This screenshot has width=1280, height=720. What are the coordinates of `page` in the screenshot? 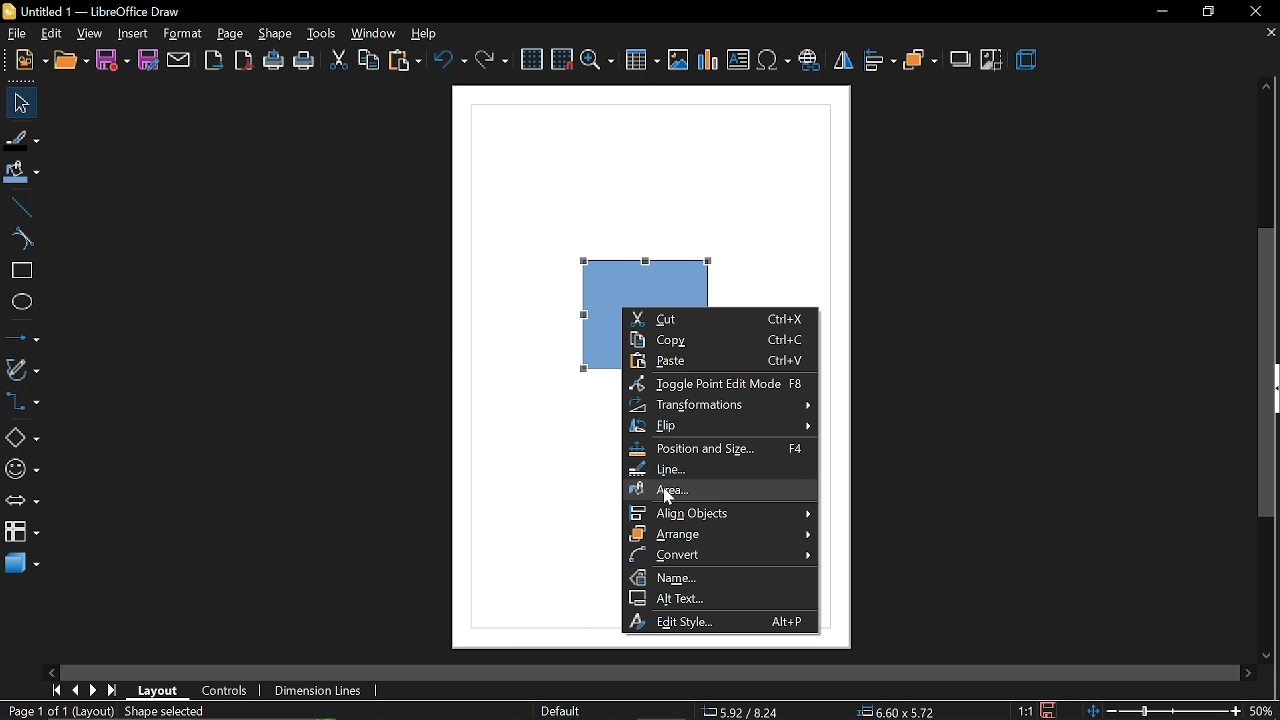 It's located at (232, 35).